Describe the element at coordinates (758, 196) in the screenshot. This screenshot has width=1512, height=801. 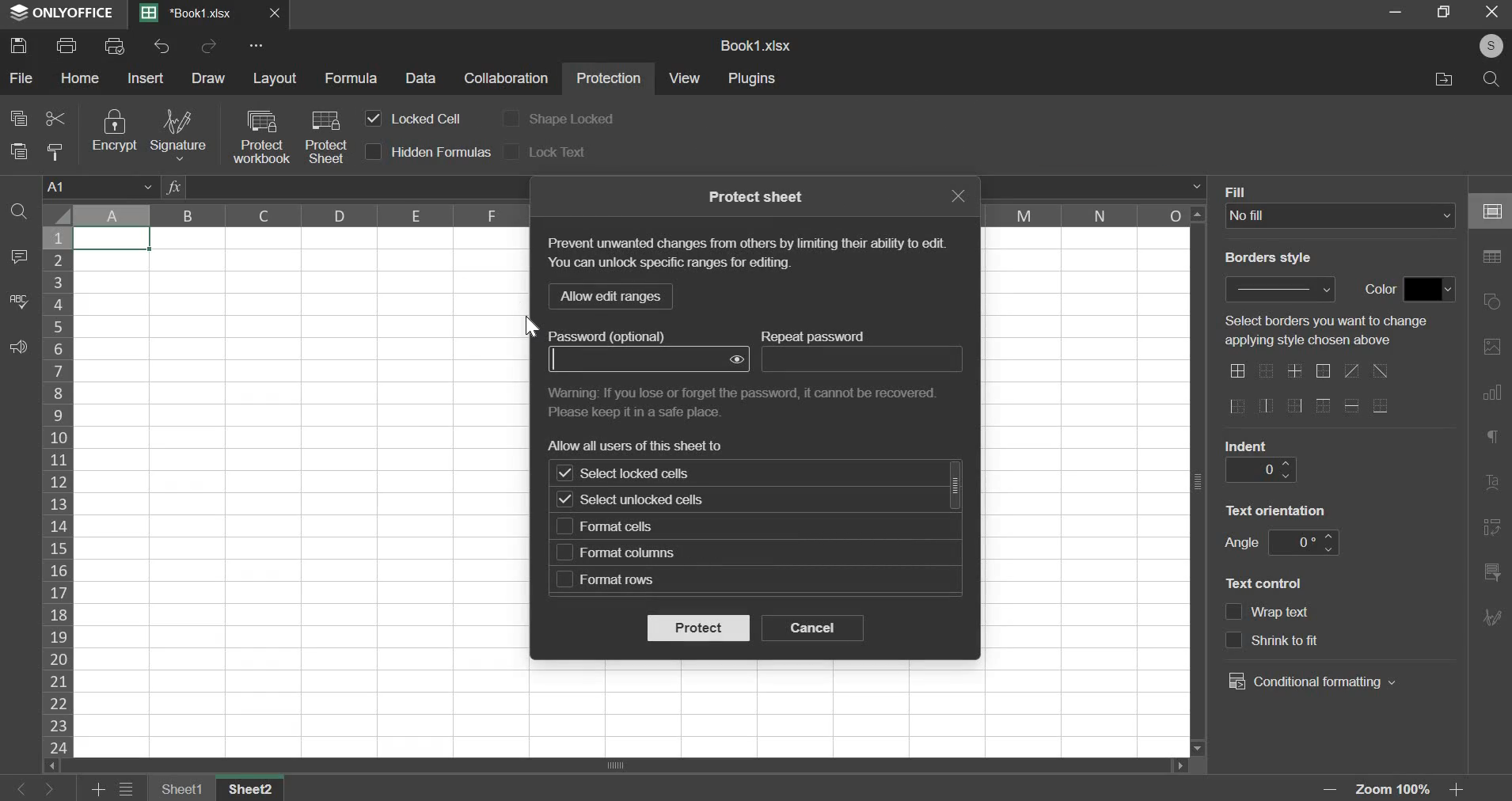
I see `text` at that location.